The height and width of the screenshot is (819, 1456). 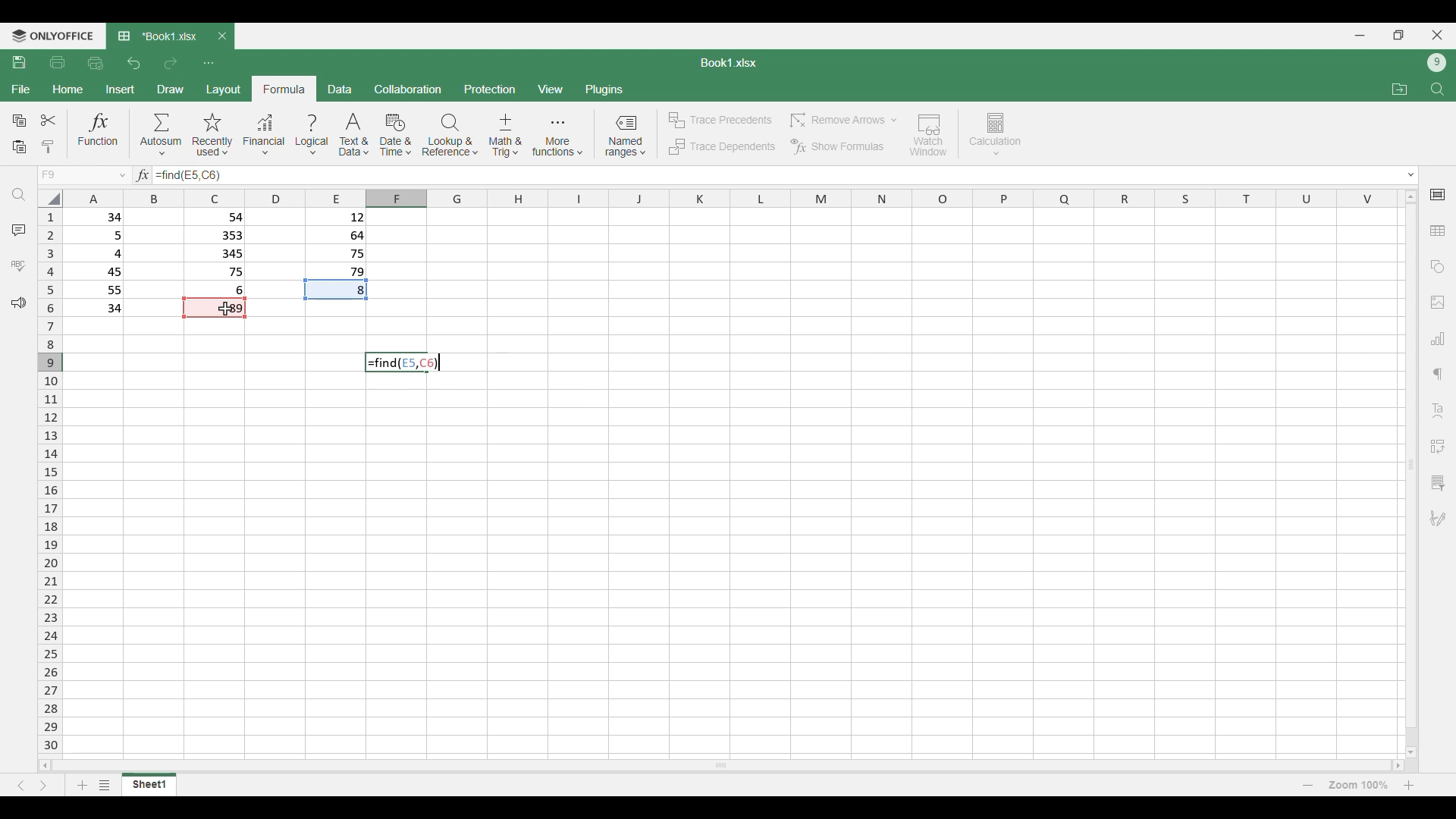 I want to click on Filled cells, so click(x=99, y=262).